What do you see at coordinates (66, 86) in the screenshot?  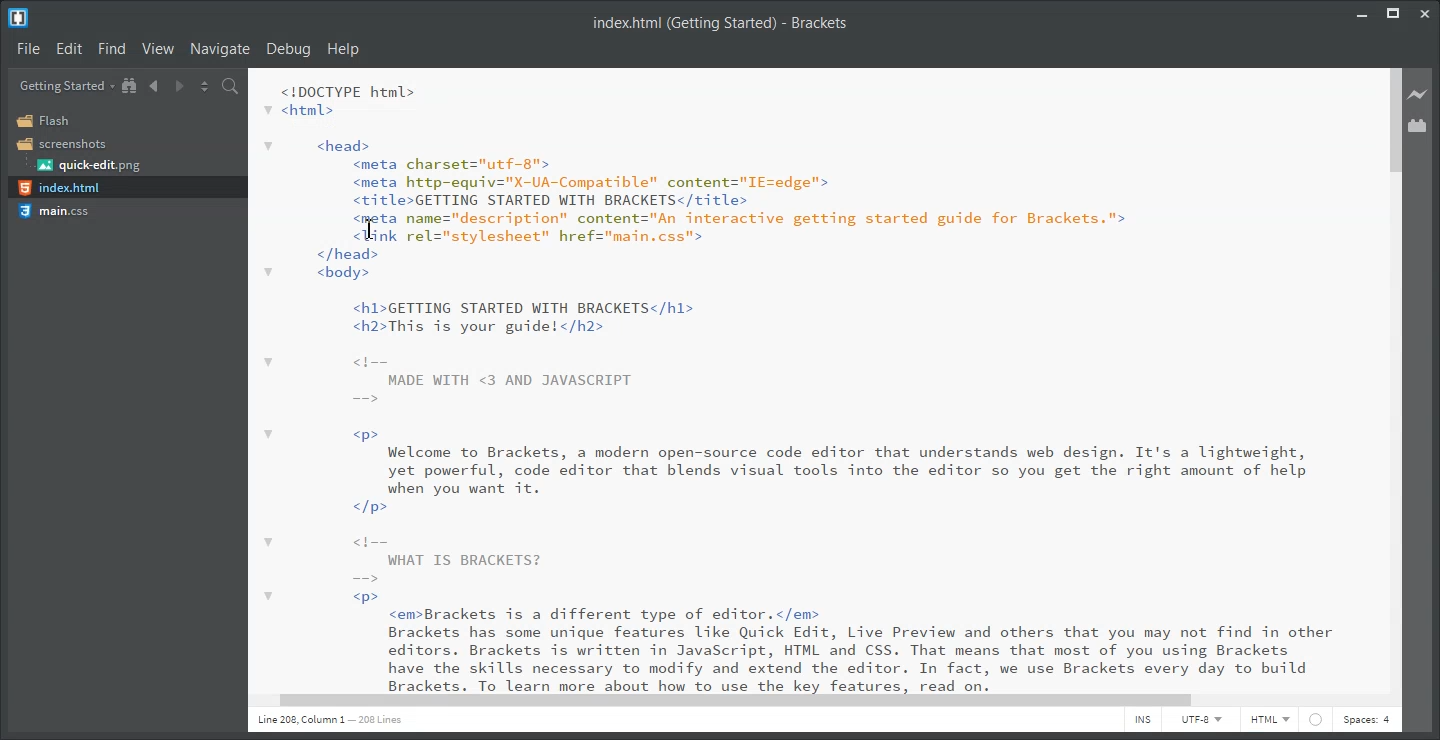 I see `Getting Started` at bounding box center [66, 86].